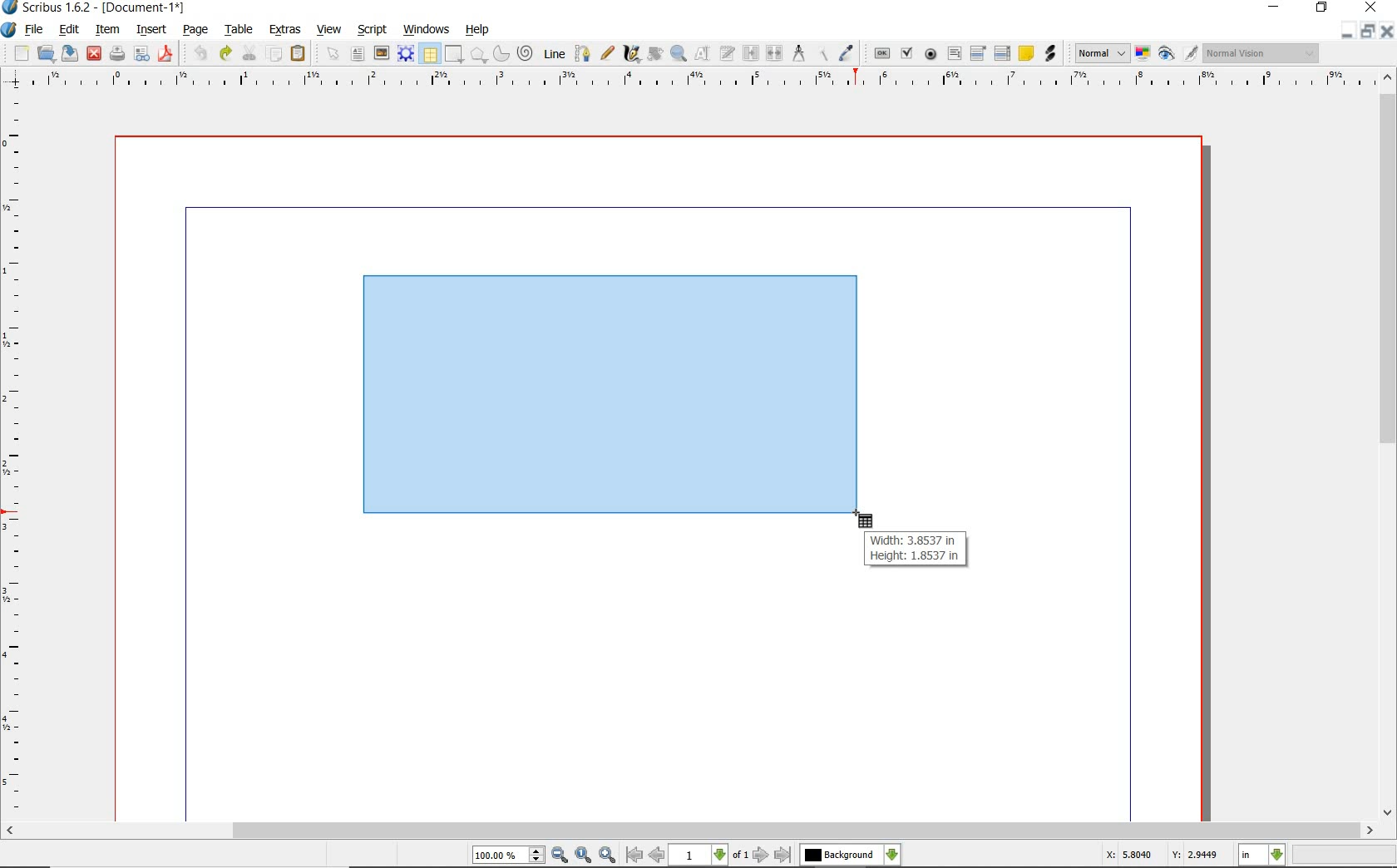 The width and height of the screenshot is (1397, 868). I want to click on select, so click(336, 57).